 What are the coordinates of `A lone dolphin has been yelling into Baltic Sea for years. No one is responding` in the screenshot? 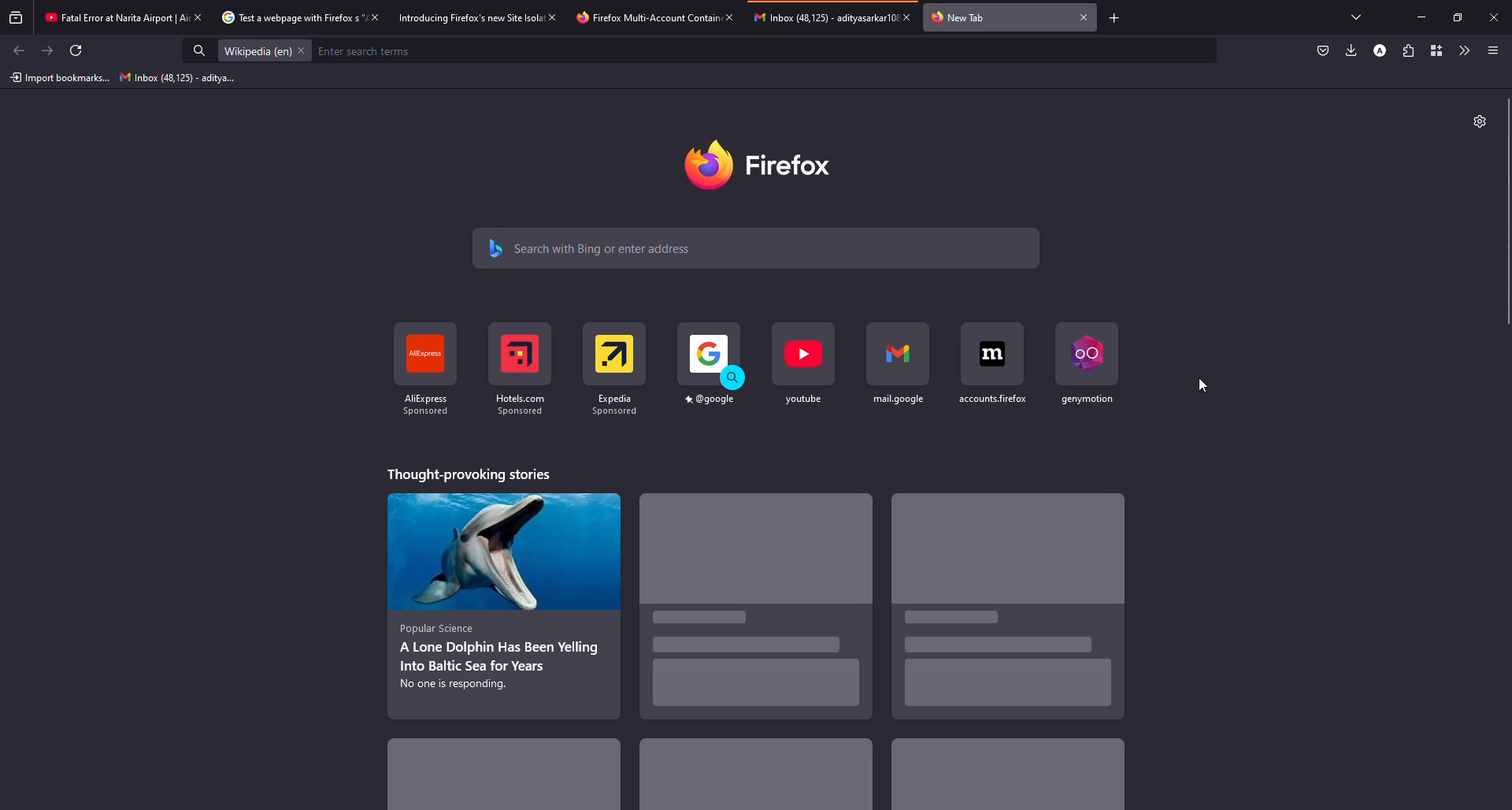 It's located at (502, 606).